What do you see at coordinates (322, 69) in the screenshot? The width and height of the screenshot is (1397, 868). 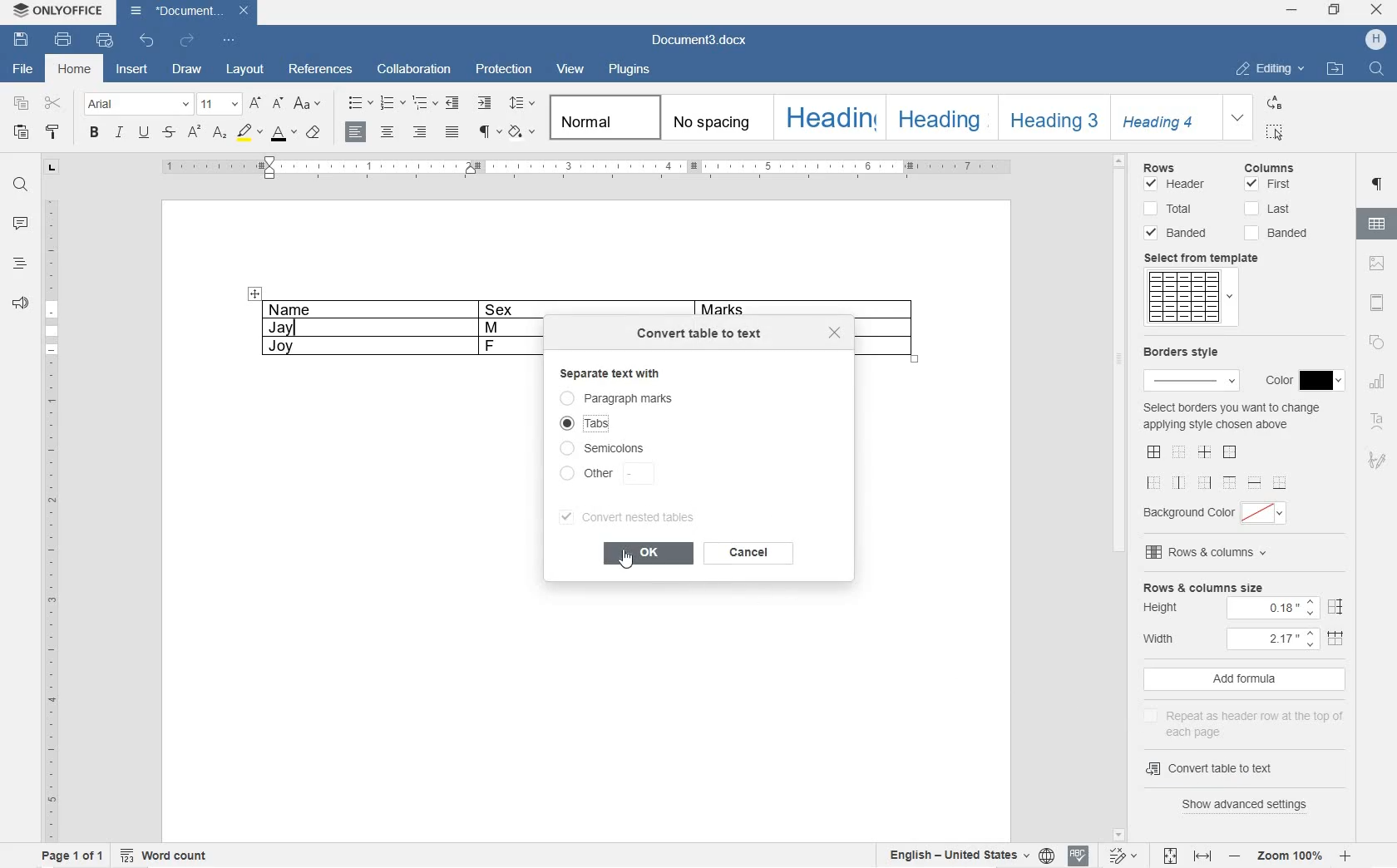 I see `REFERENCES` at bounding box center [322, 69].